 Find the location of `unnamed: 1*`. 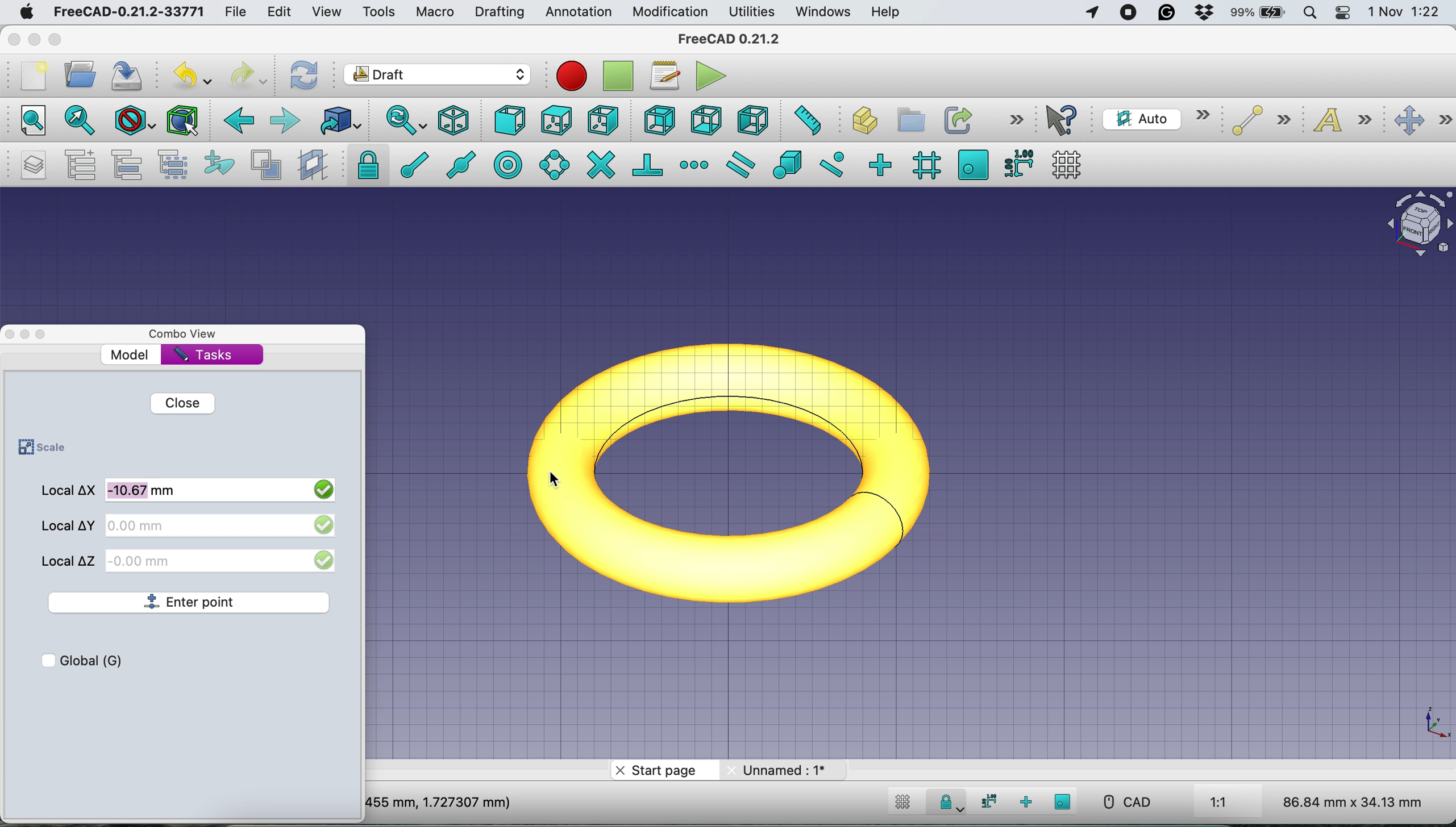

unnamed: 1* is located at coordinates (785, 770).